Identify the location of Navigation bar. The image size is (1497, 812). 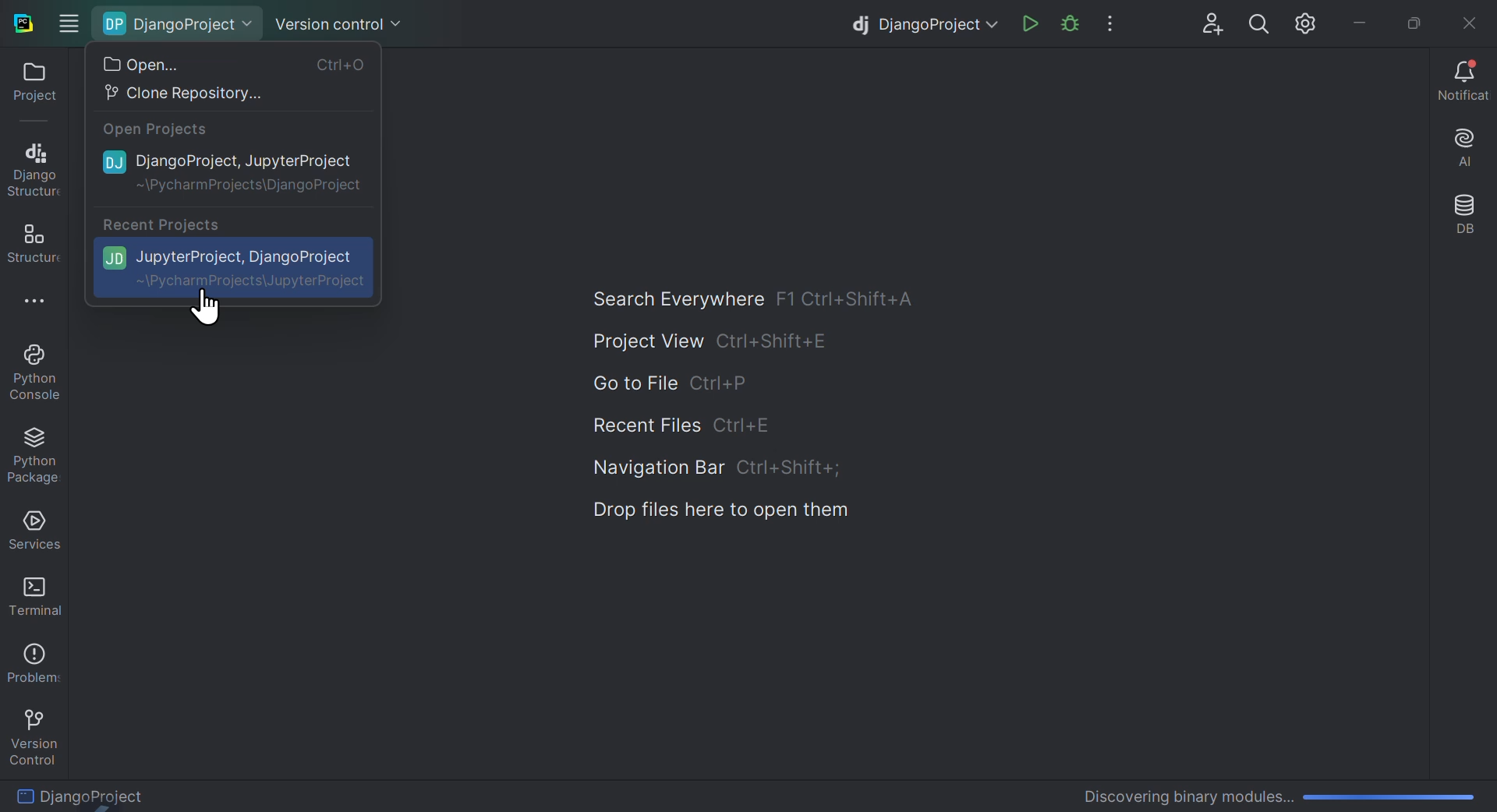
(652, 470).